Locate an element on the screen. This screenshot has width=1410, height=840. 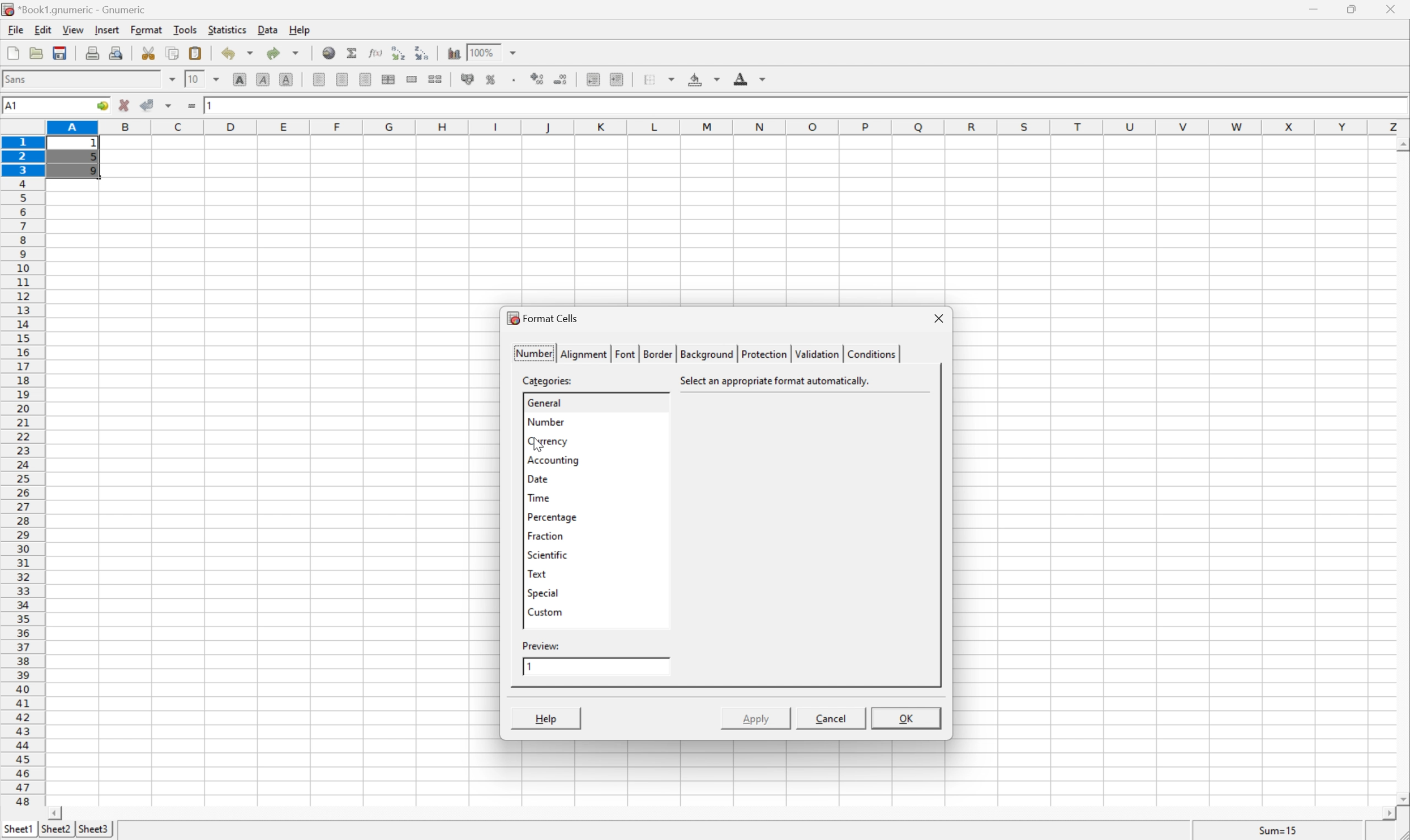
application name is located at coordinates (78, 8).